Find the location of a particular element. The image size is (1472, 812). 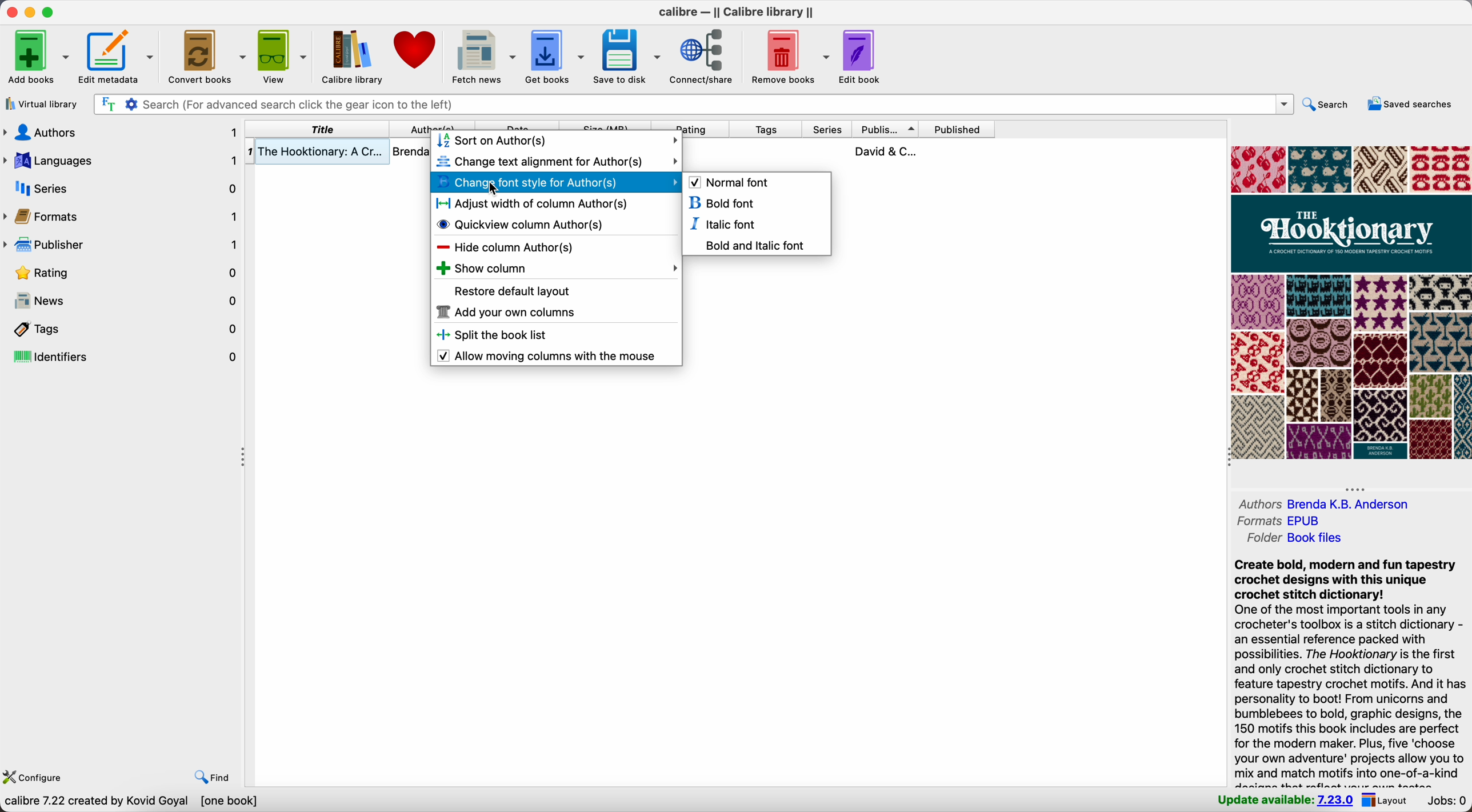

restore default layout is located at coordinates (514, 292).